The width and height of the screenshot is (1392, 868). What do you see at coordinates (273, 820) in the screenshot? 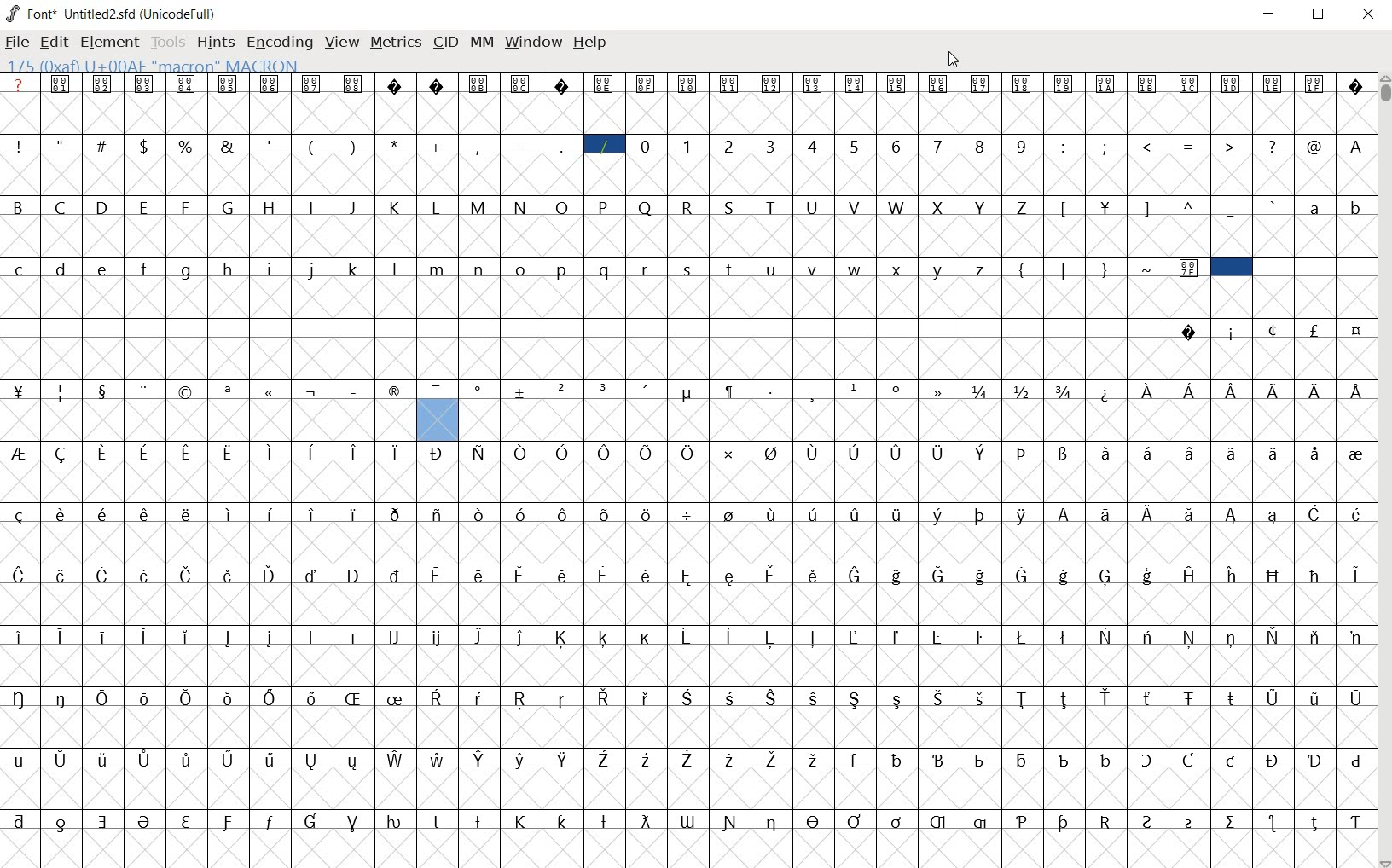
I see `Symbol` at bounding box center [273, 820].